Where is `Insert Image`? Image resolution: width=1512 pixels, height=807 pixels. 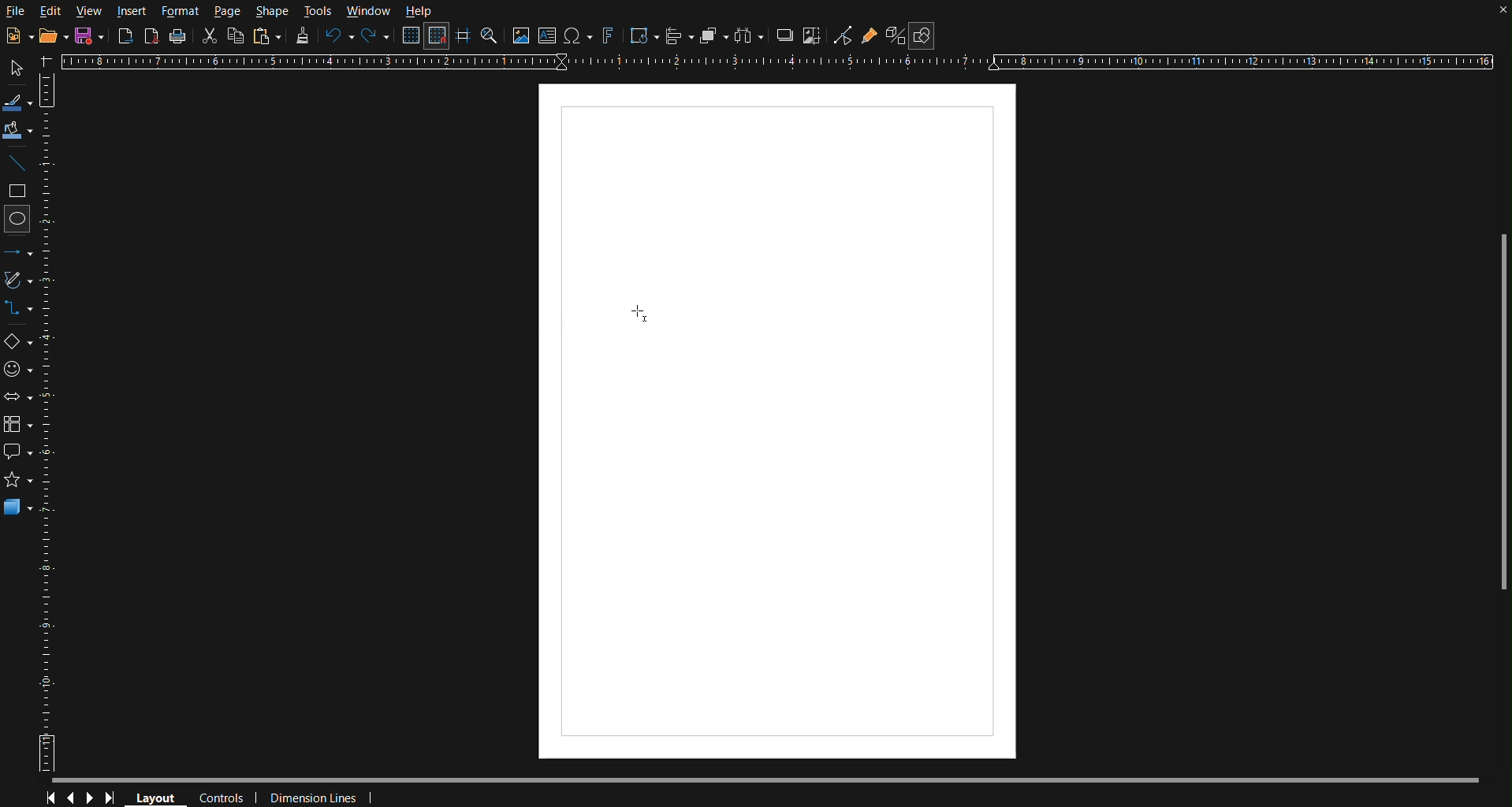 Insert Image is located at coordinates (522, 35).